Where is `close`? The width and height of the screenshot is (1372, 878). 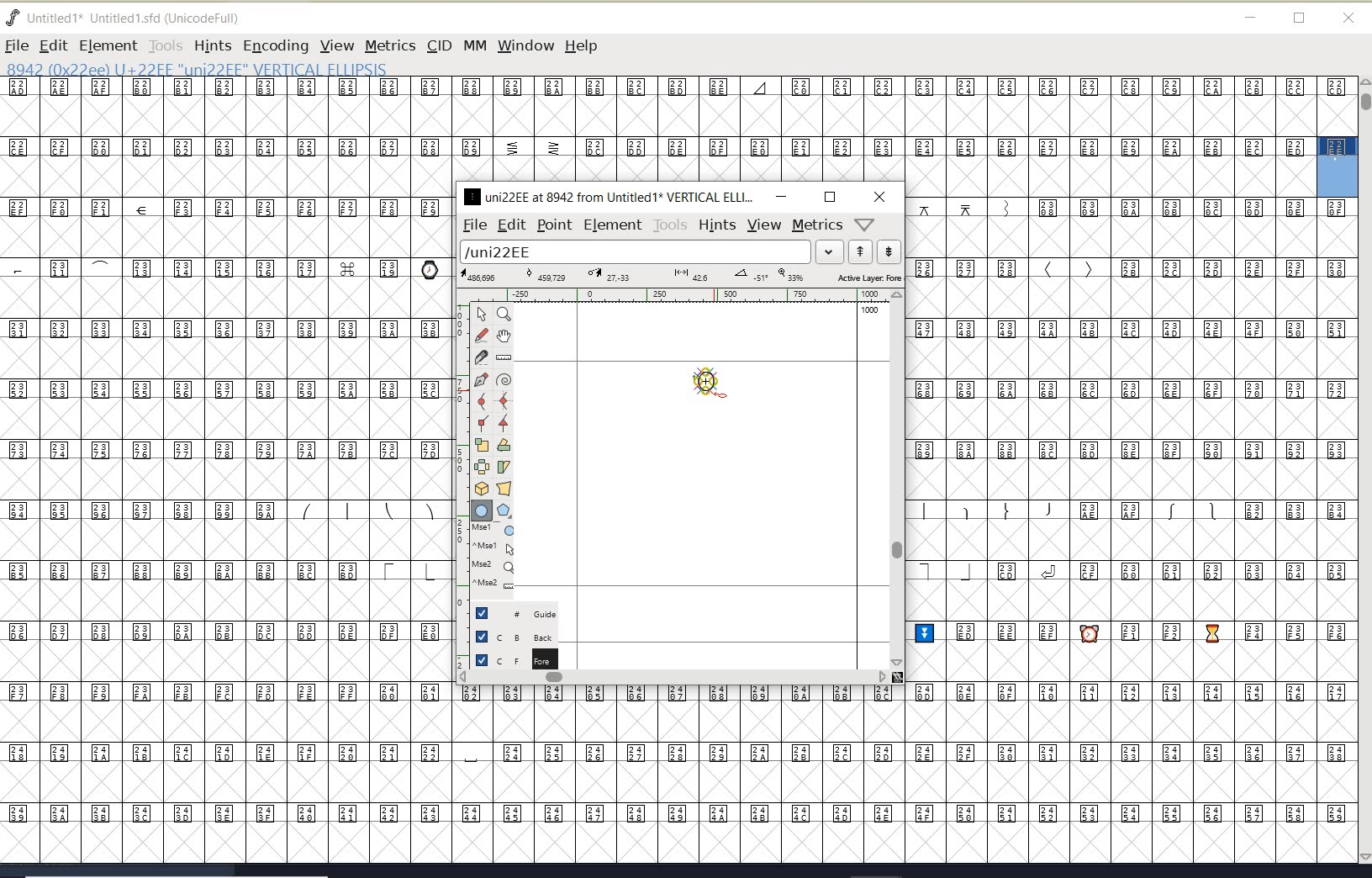
close is located at coordinates (880, 197).